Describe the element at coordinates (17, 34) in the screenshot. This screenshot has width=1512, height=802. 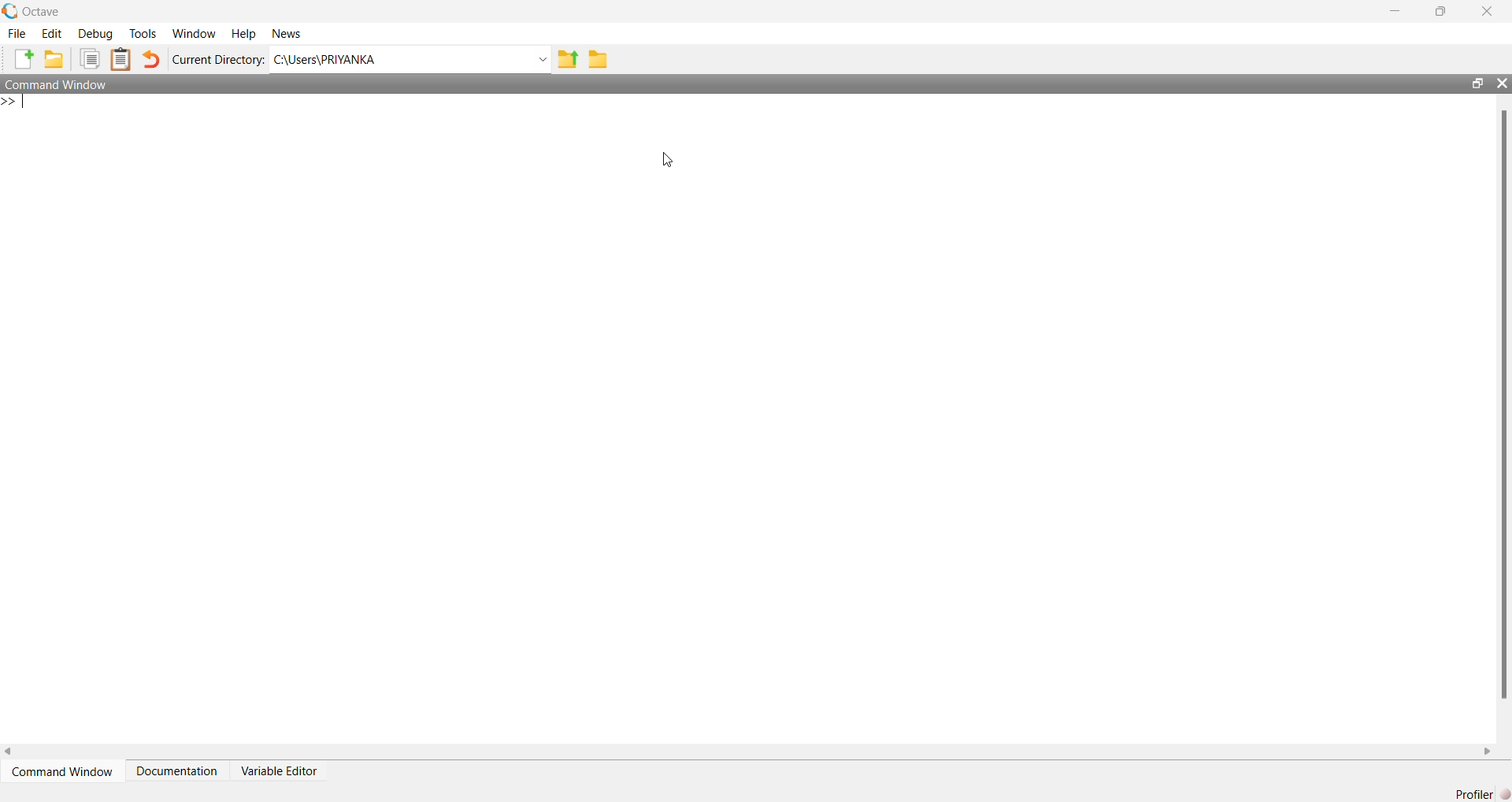
I see `File` at that location.